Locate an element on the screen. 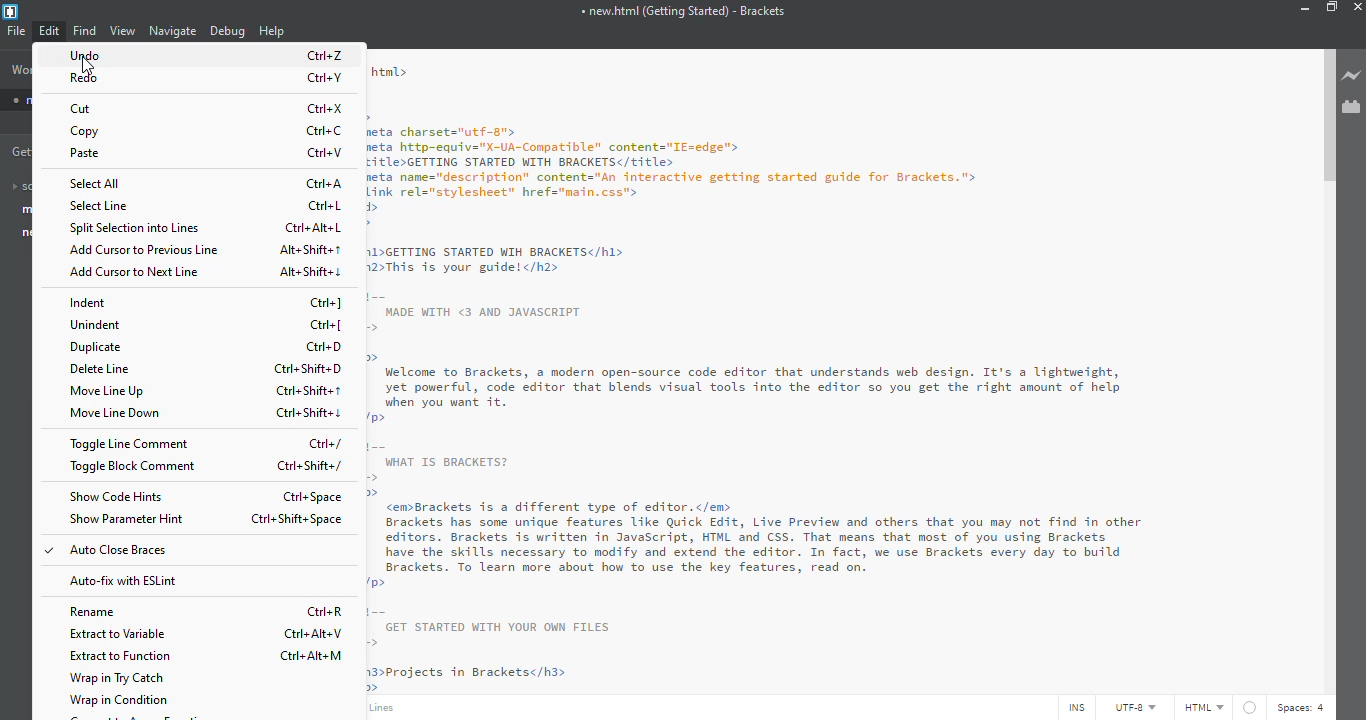 Image resolution: width=1366 pixels, height=720 pixels. ctrl+alt+m is located at coordinates (315, 656).